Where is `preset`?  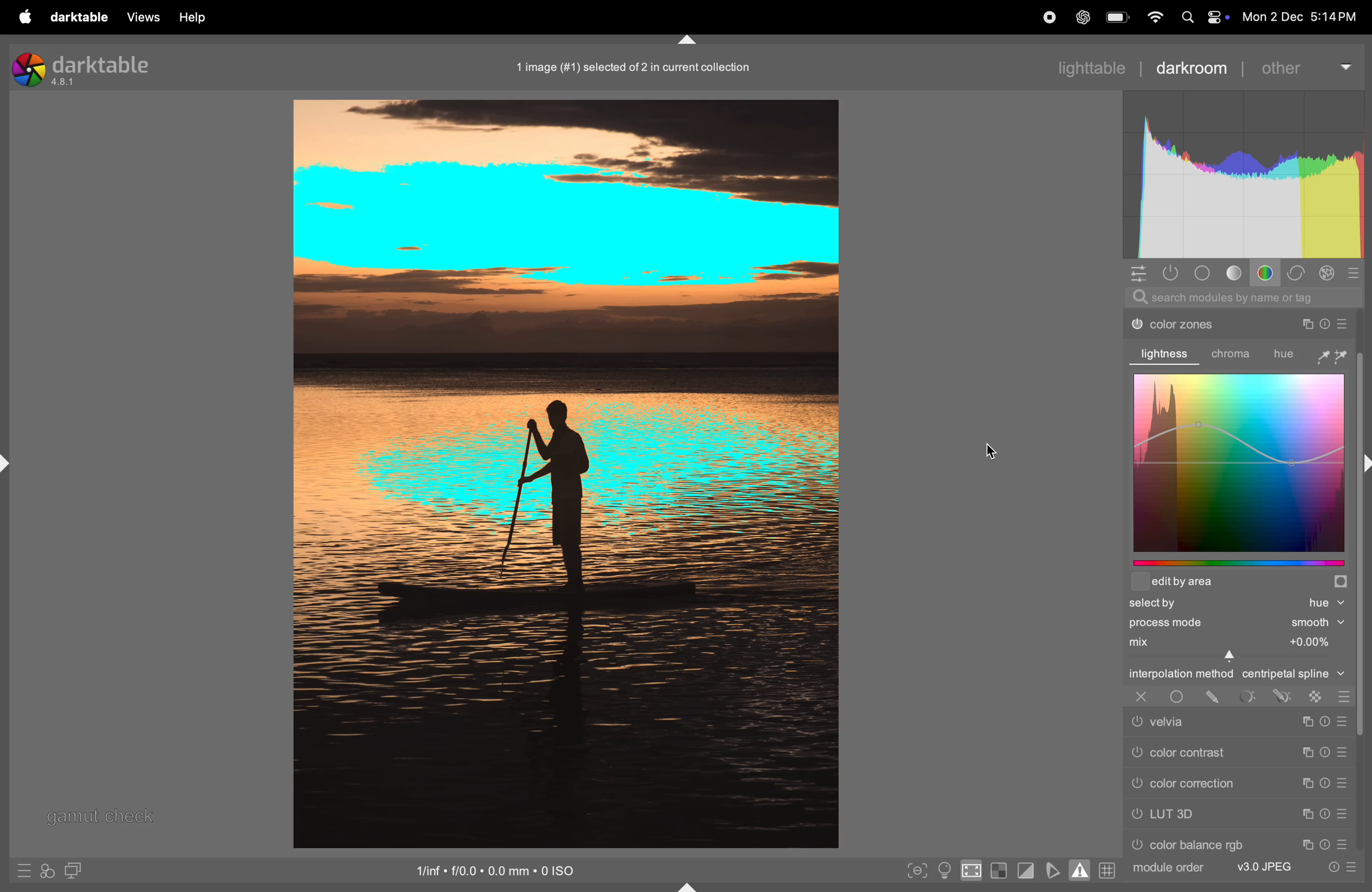
preset is located at coordinates (1342, 815).